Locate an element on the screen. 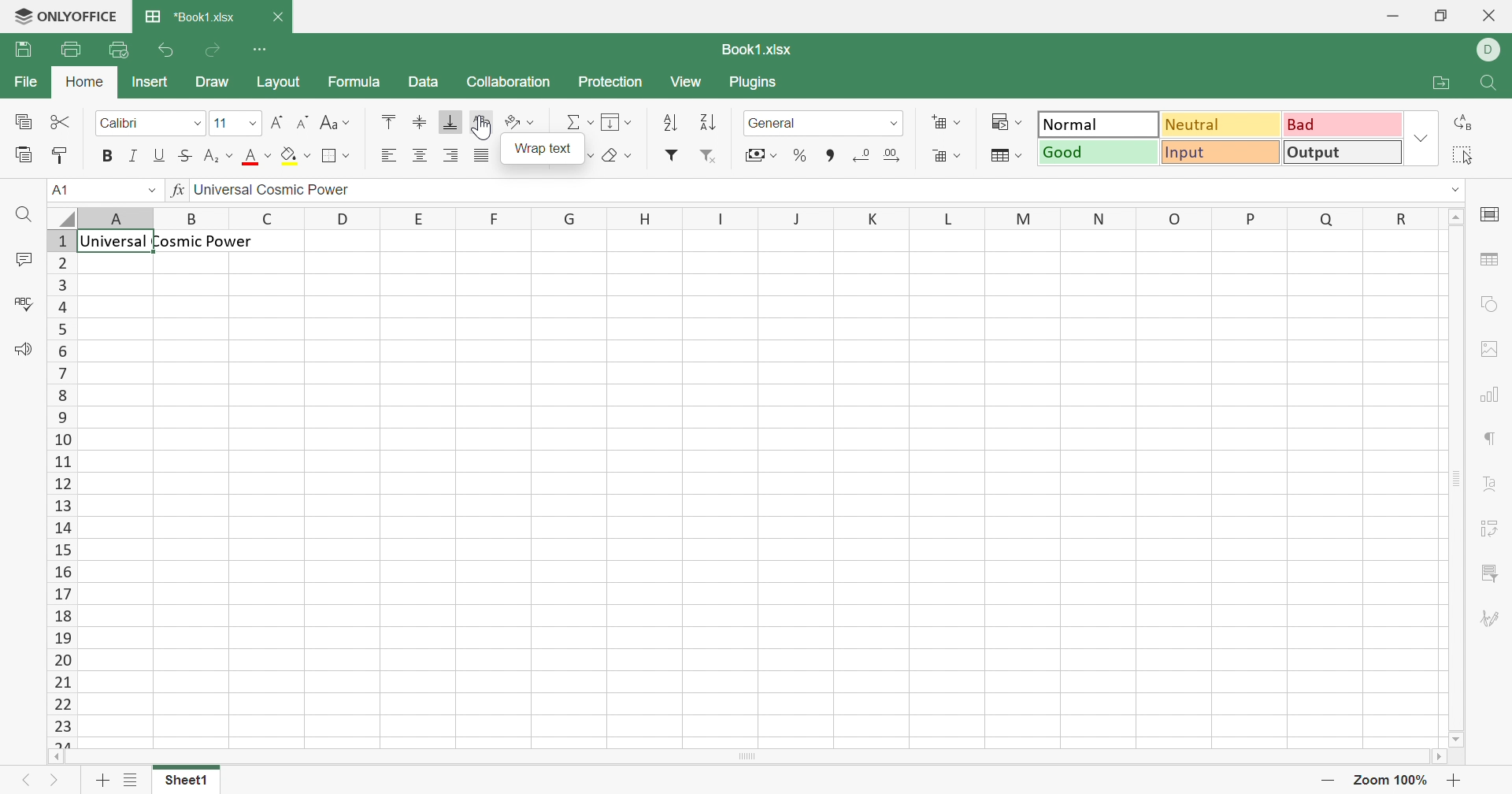  Pivot Table settings is located at coordinates (1489, 529).